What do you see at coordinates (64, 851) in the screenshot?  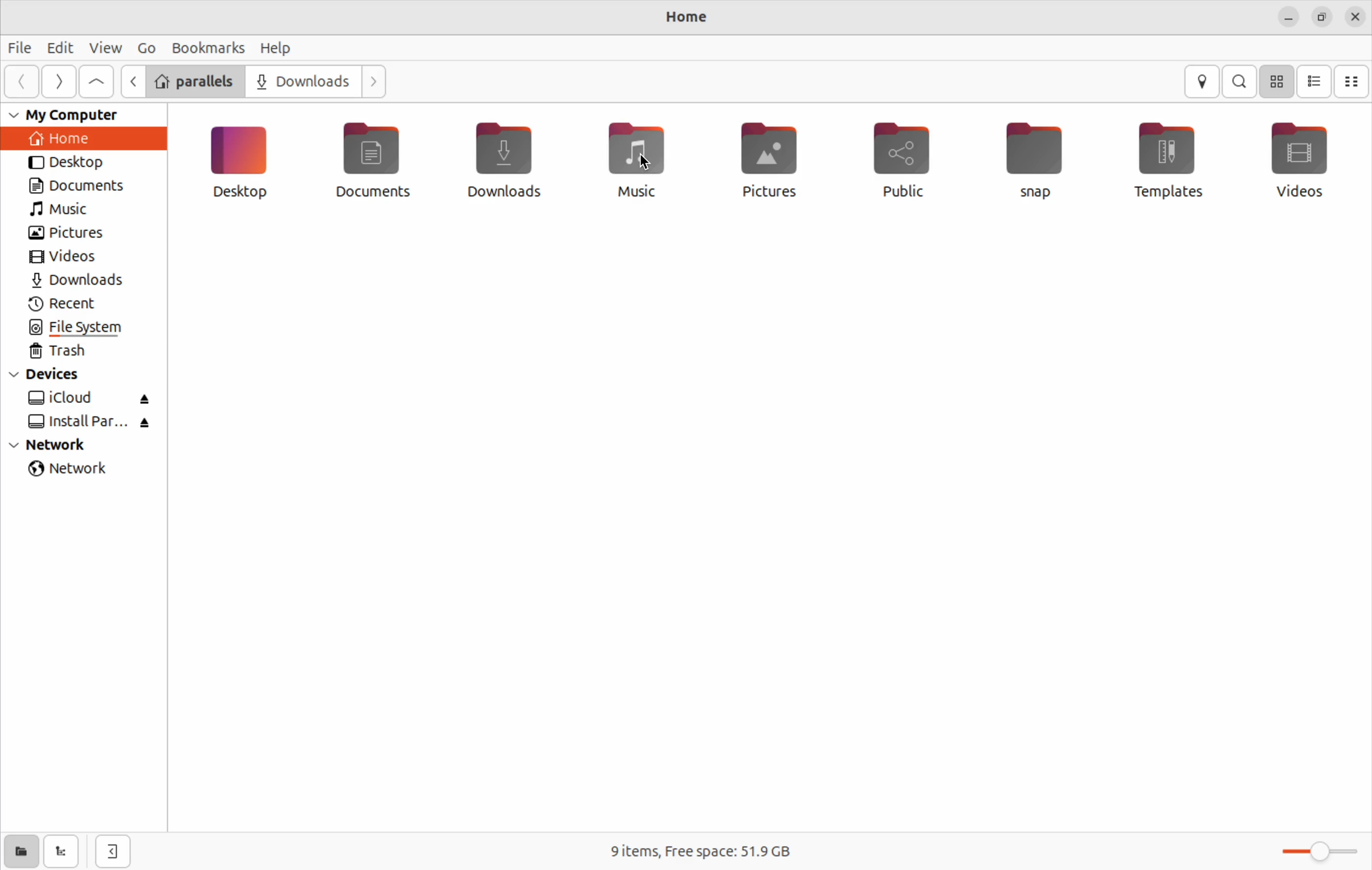 I see `show tree view` at bounding box center [64, 851].